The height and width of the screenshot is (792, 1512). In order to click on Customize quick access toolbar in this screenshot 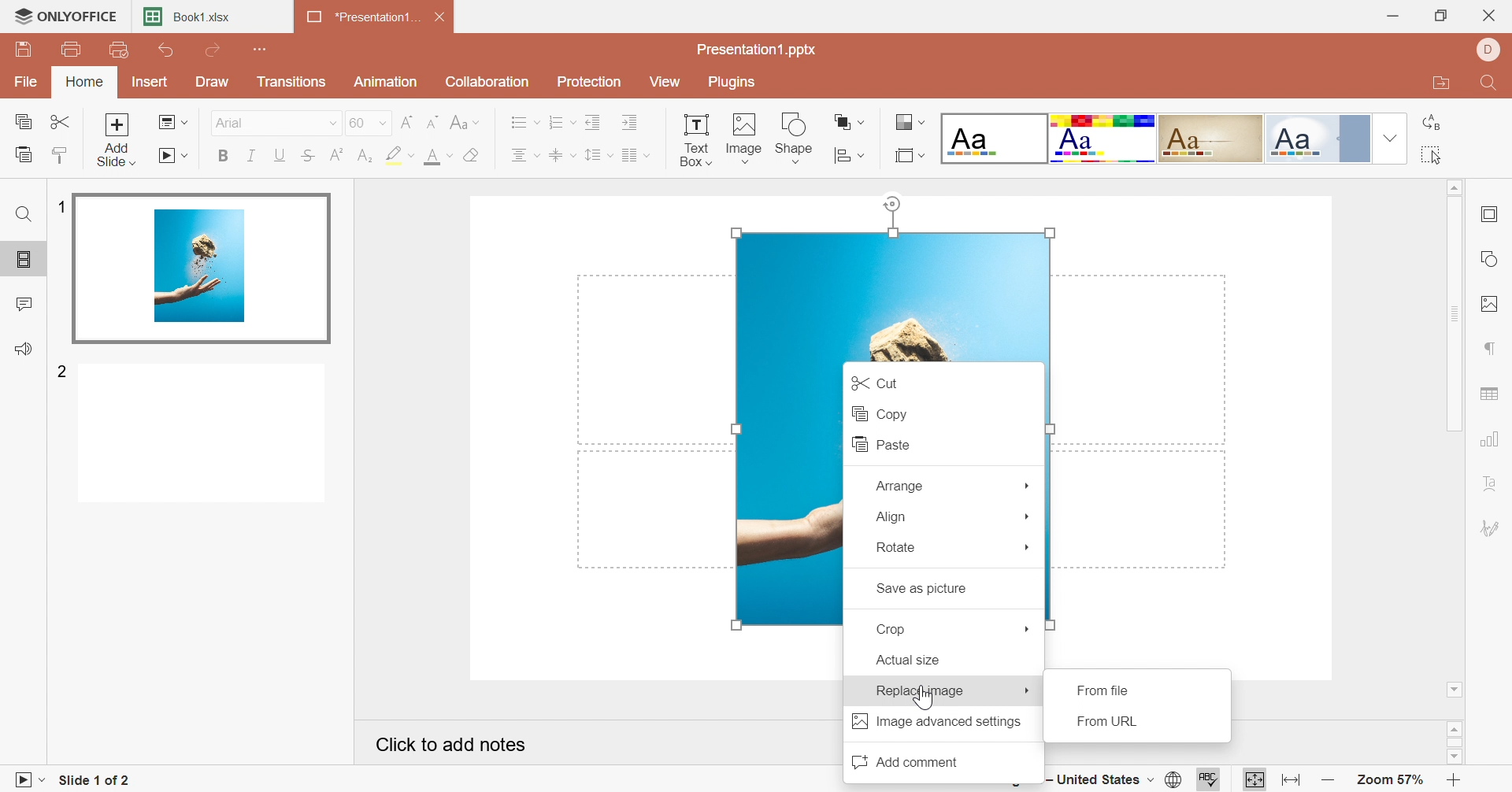, I will do `click(262, 48)`.